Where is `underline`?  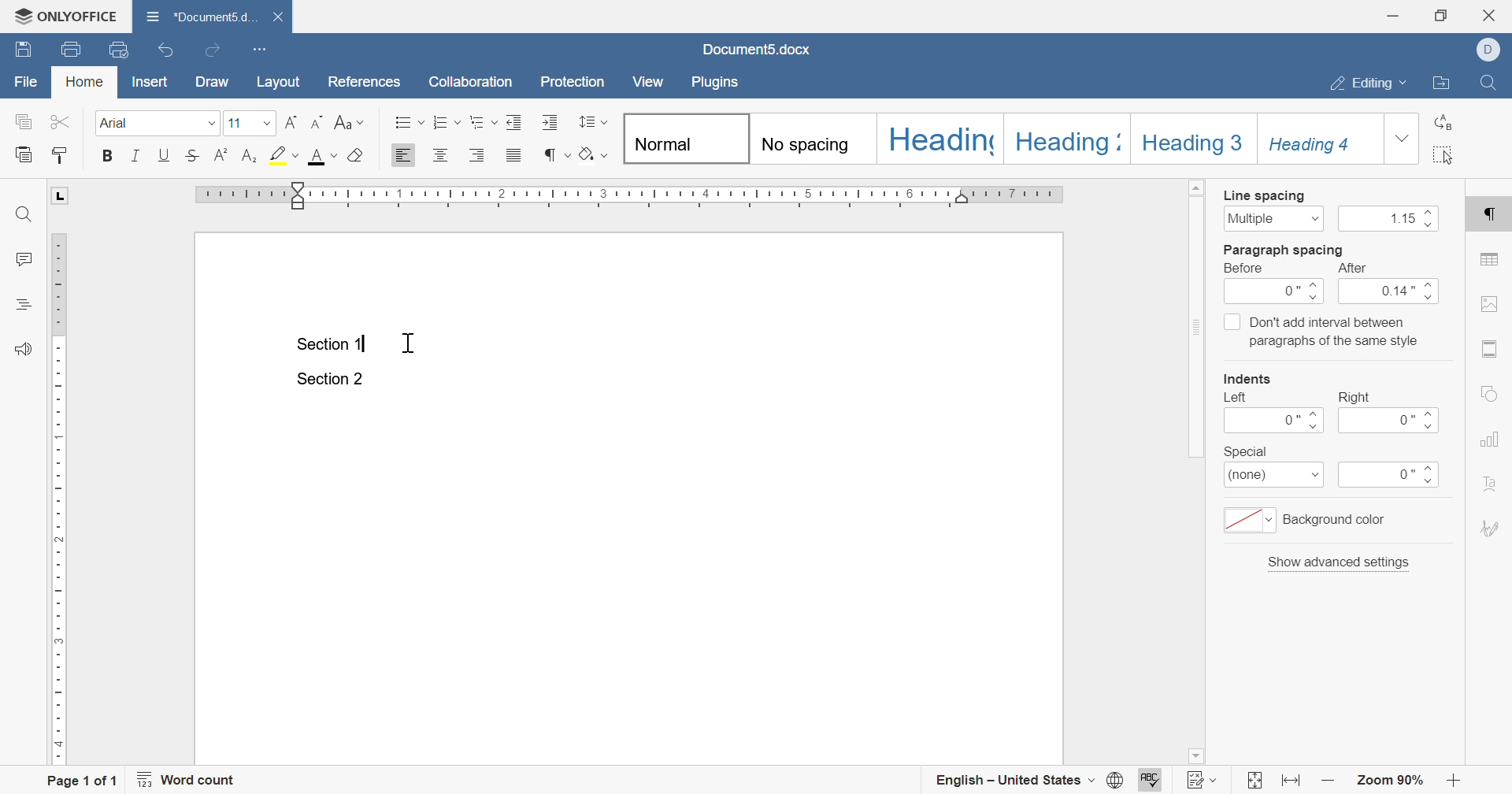
underline is located at coordinates (163, 154).